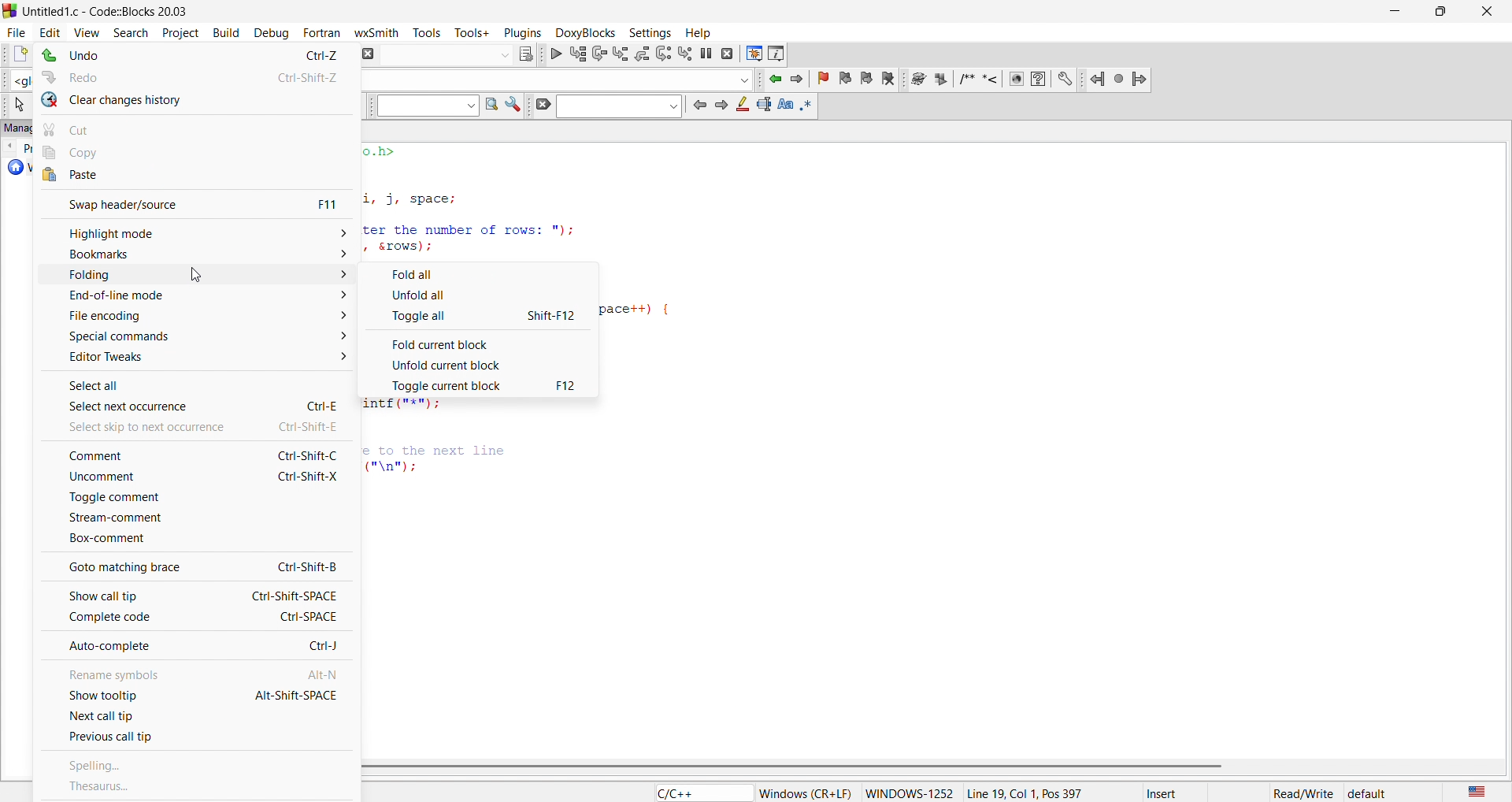  I want to click on language, so click(699, 793).